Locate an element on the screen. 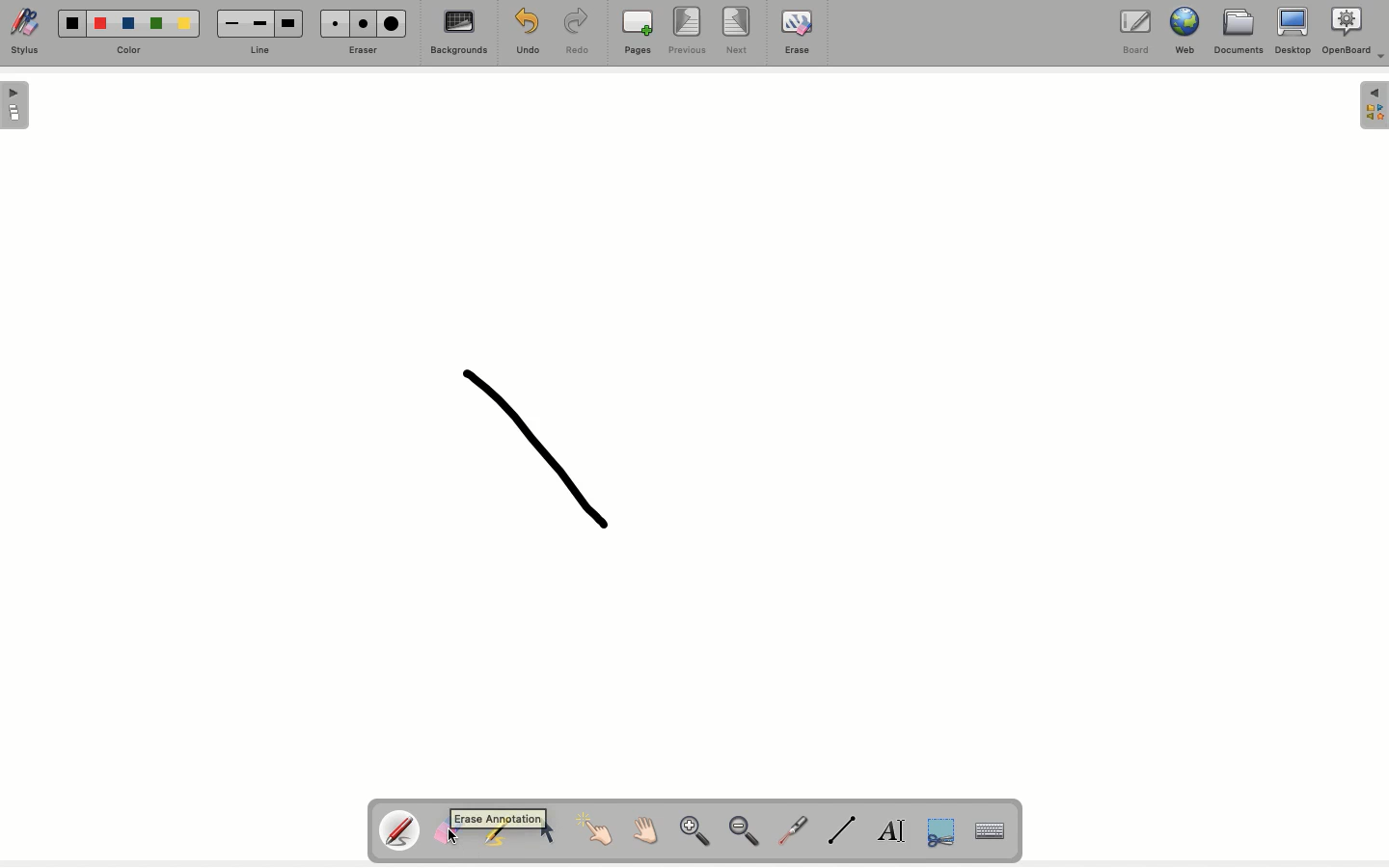 This screenshot has width=1389, height=868. Text is located at coordinates (893, 830).